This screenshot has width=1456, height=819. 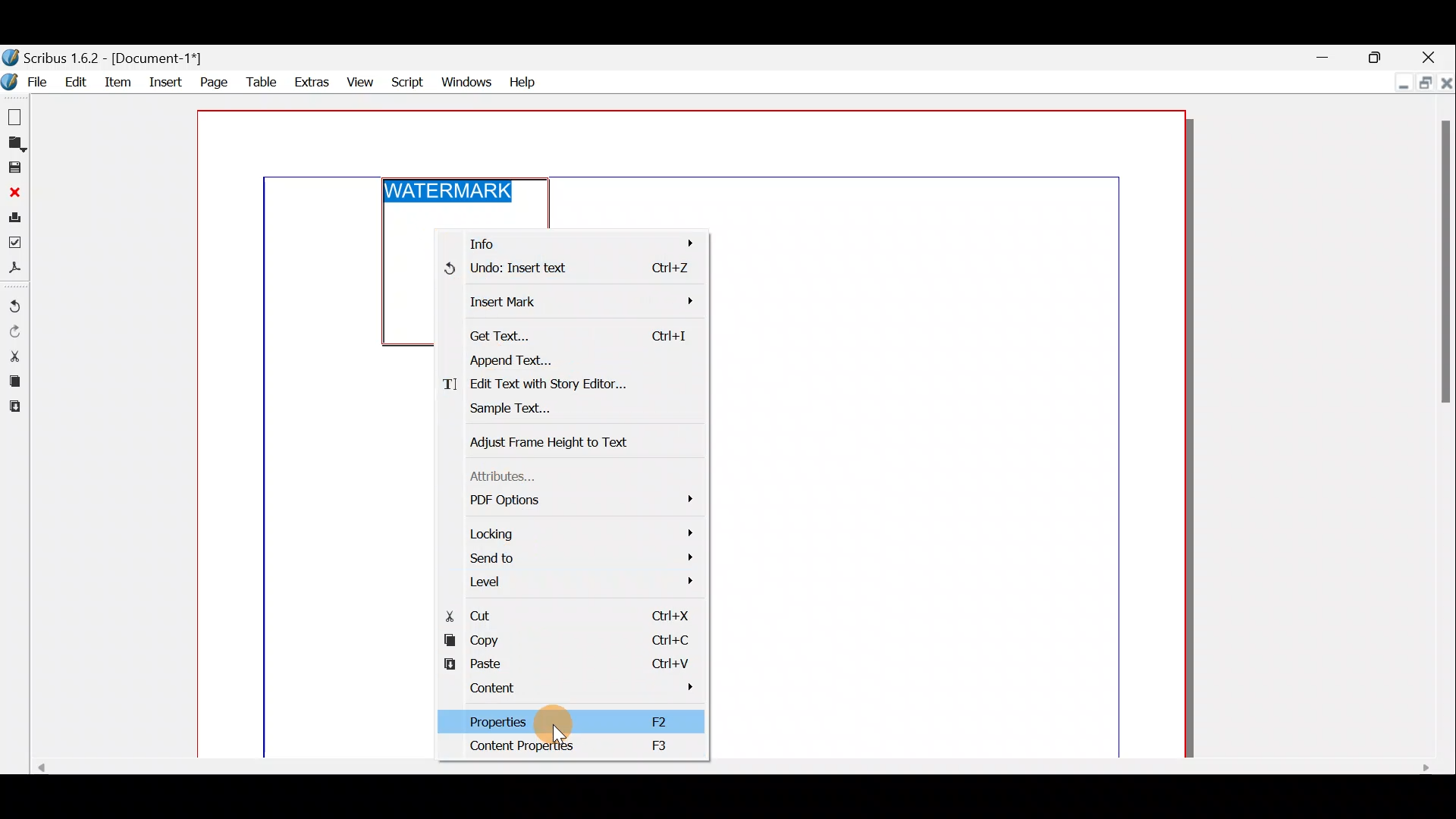 I want to click on New, so click(x=13, y=115).